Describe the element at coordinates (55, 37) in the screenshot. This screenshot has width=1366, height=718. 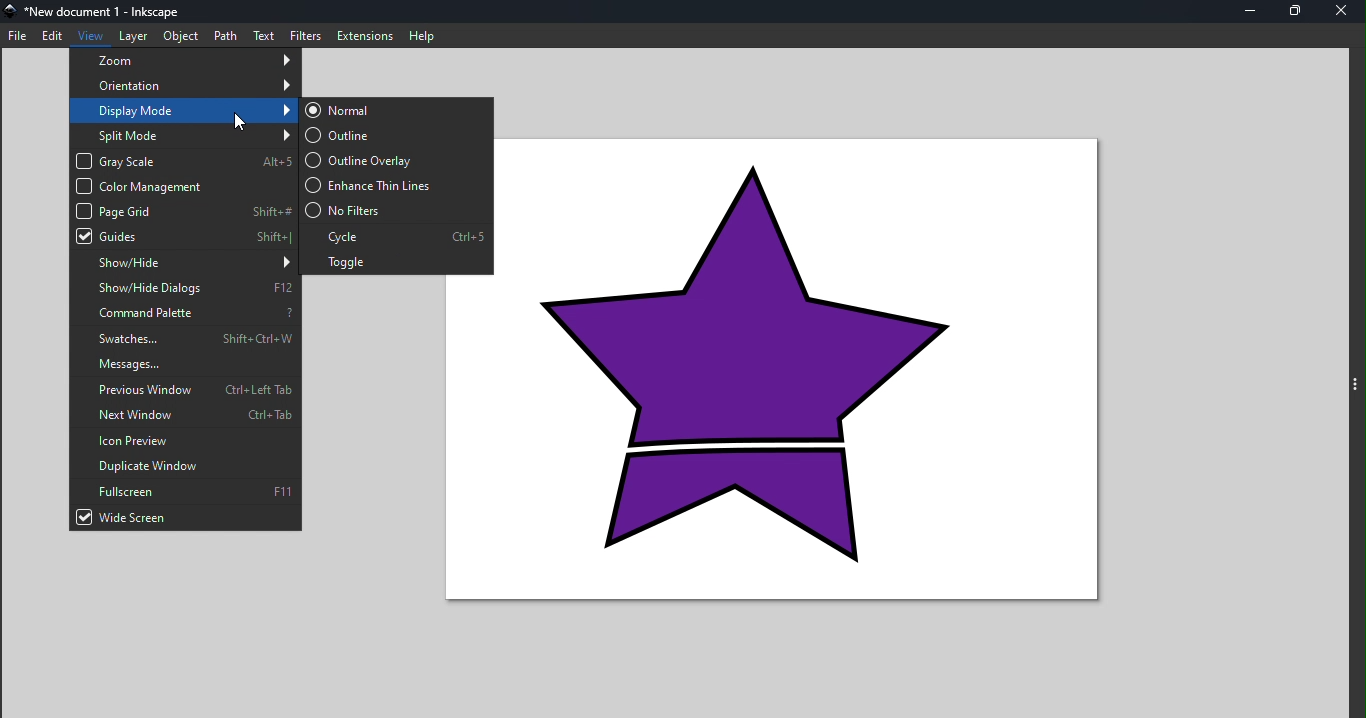
I see `Edit` at that location.